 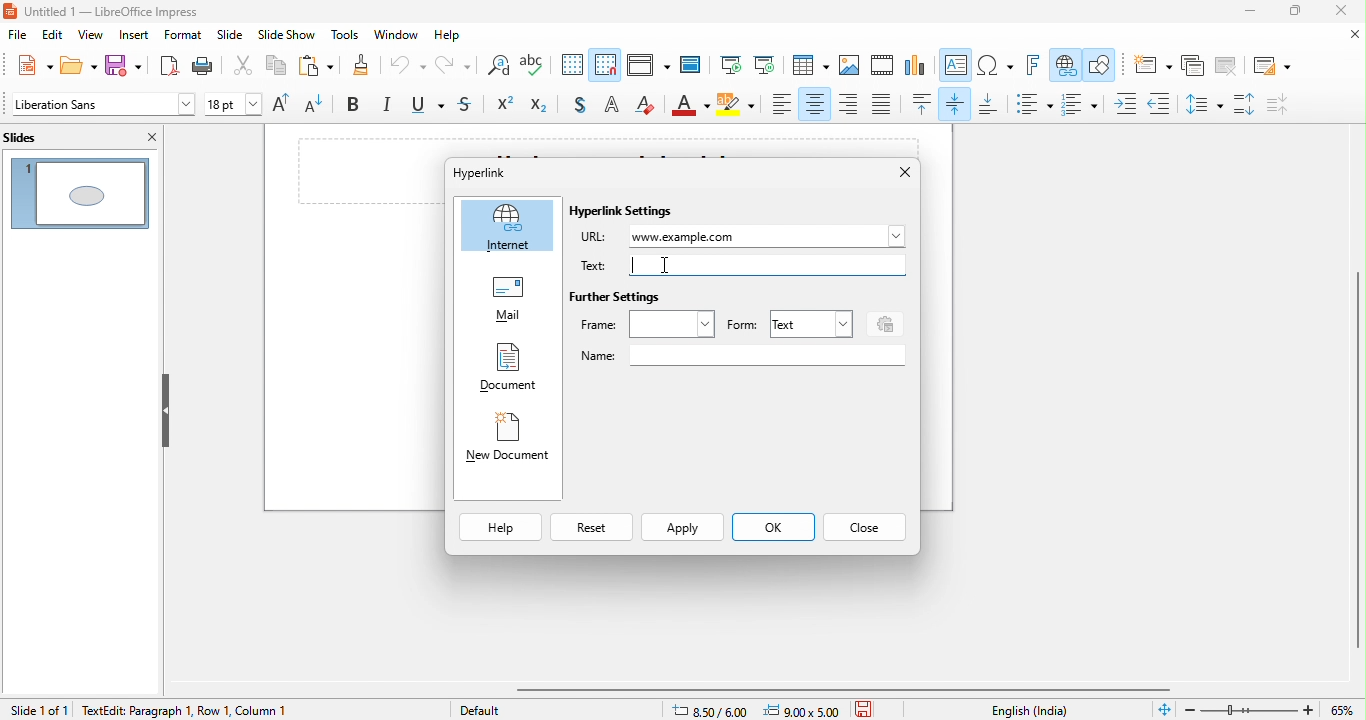 What do you see at coordinates (607, 64) in the screenshot?
I see `snap to grid` at bounding box center [607, 64].